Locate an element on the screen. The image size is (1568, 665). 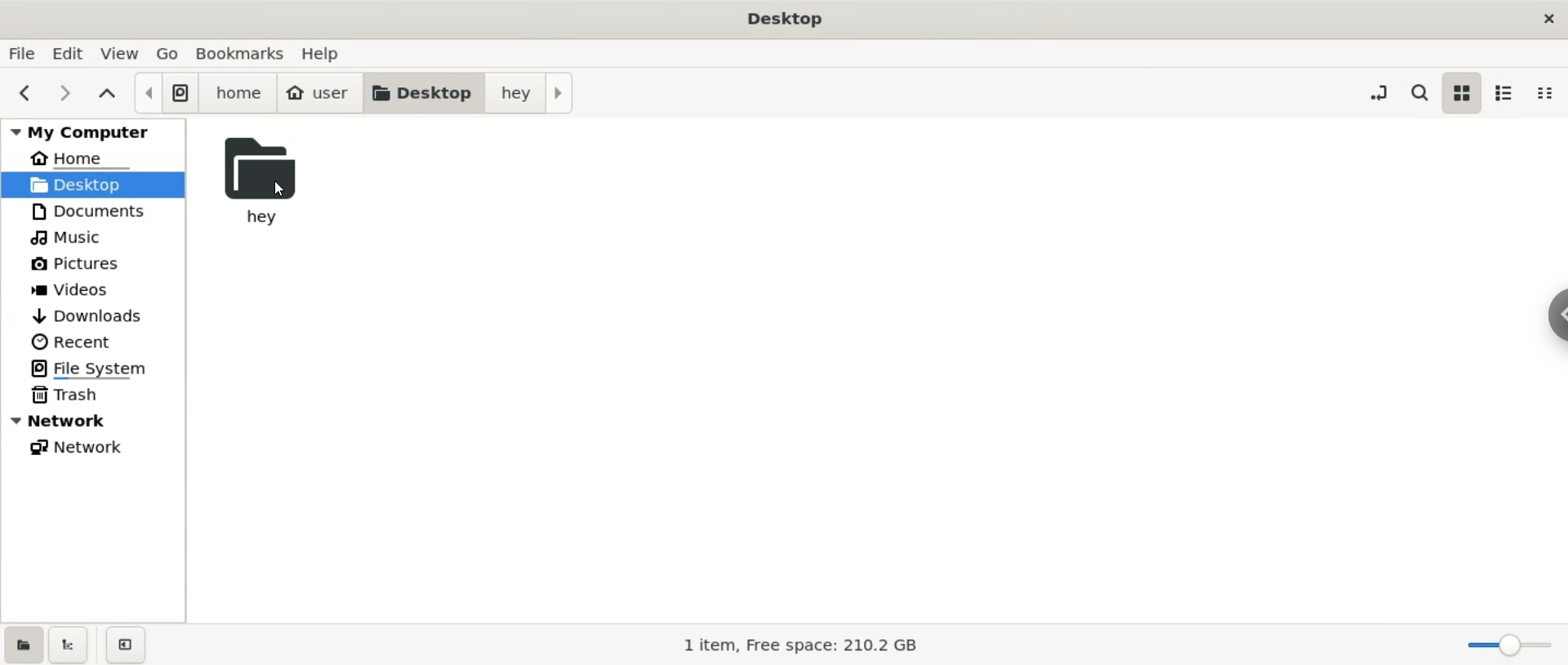
go is located at coordinates (169, 51).